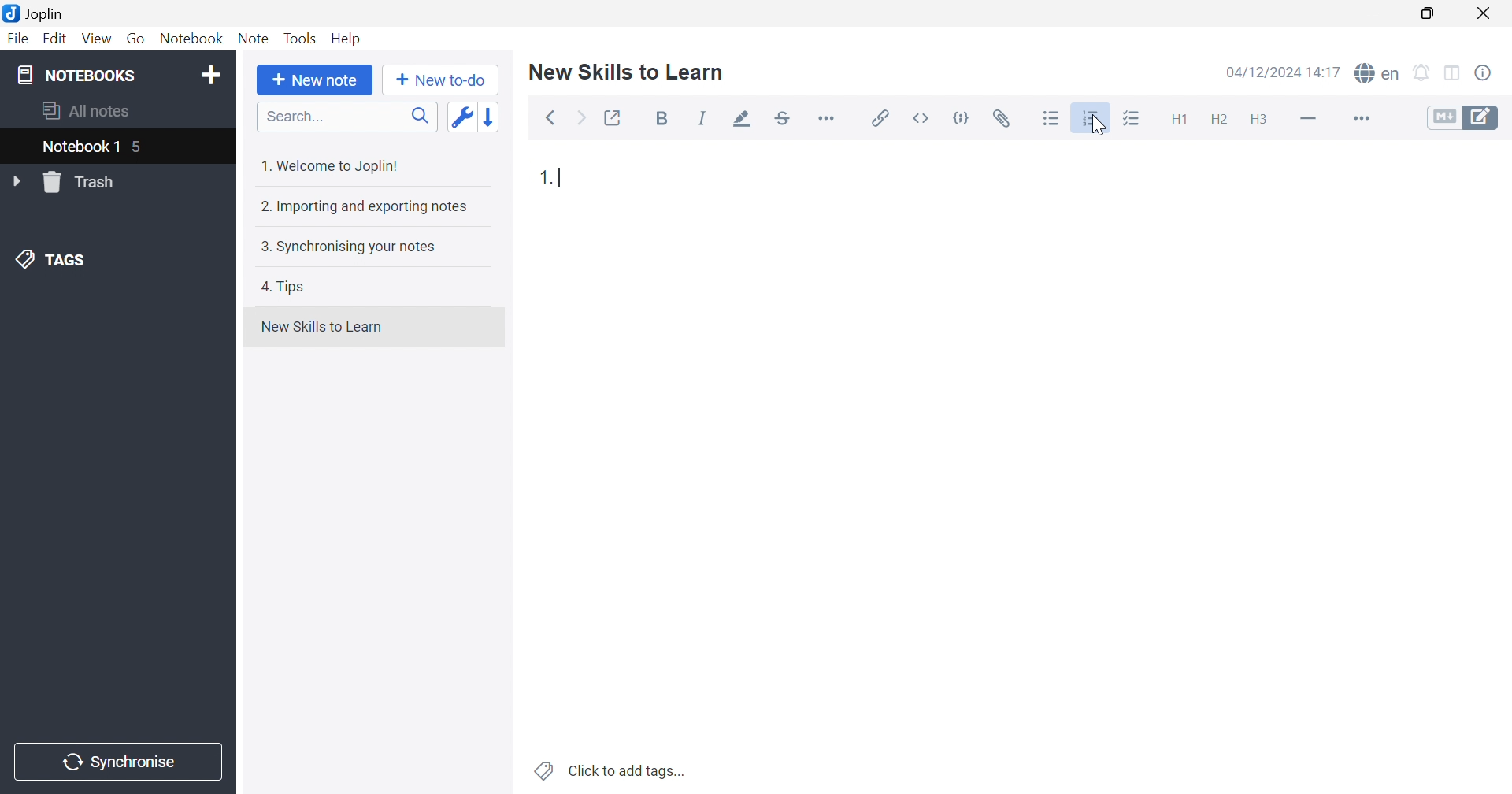 The width and height of the screenshot is (1512, 794). What do you see at coordinates (1177, 121) in the screenshot?
I see `Heading 1` at bounding box center [1177, 121].